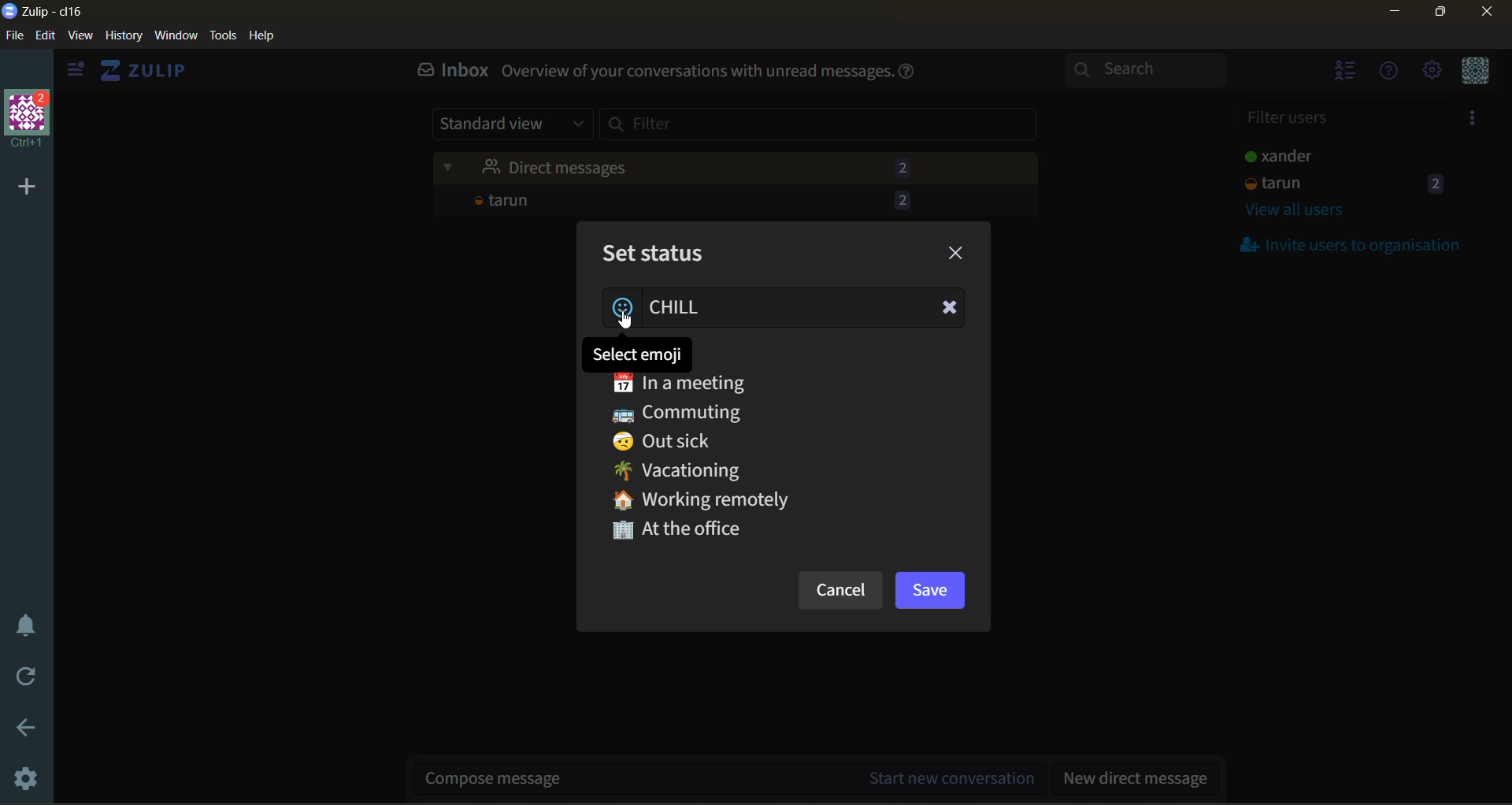 Image resolution: width=1512 pixels, height=805 pixels. What do you see at coordinates (674, 307) in the screenshot?
I see `status added` at bounding box center [674, 307].